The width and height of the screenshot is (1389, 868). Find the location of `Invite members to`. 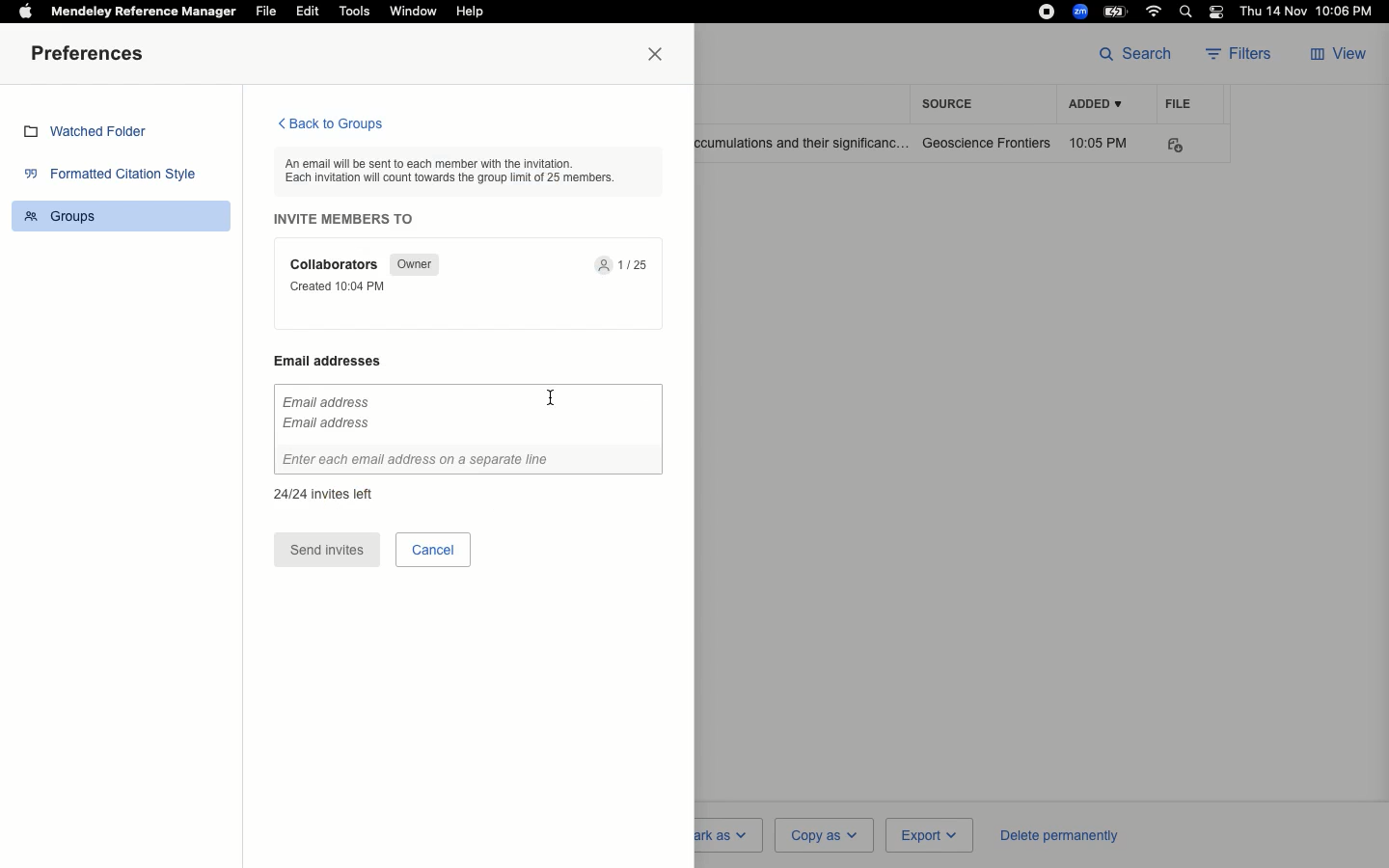

Invite members to is located at coordinates (349, 219).